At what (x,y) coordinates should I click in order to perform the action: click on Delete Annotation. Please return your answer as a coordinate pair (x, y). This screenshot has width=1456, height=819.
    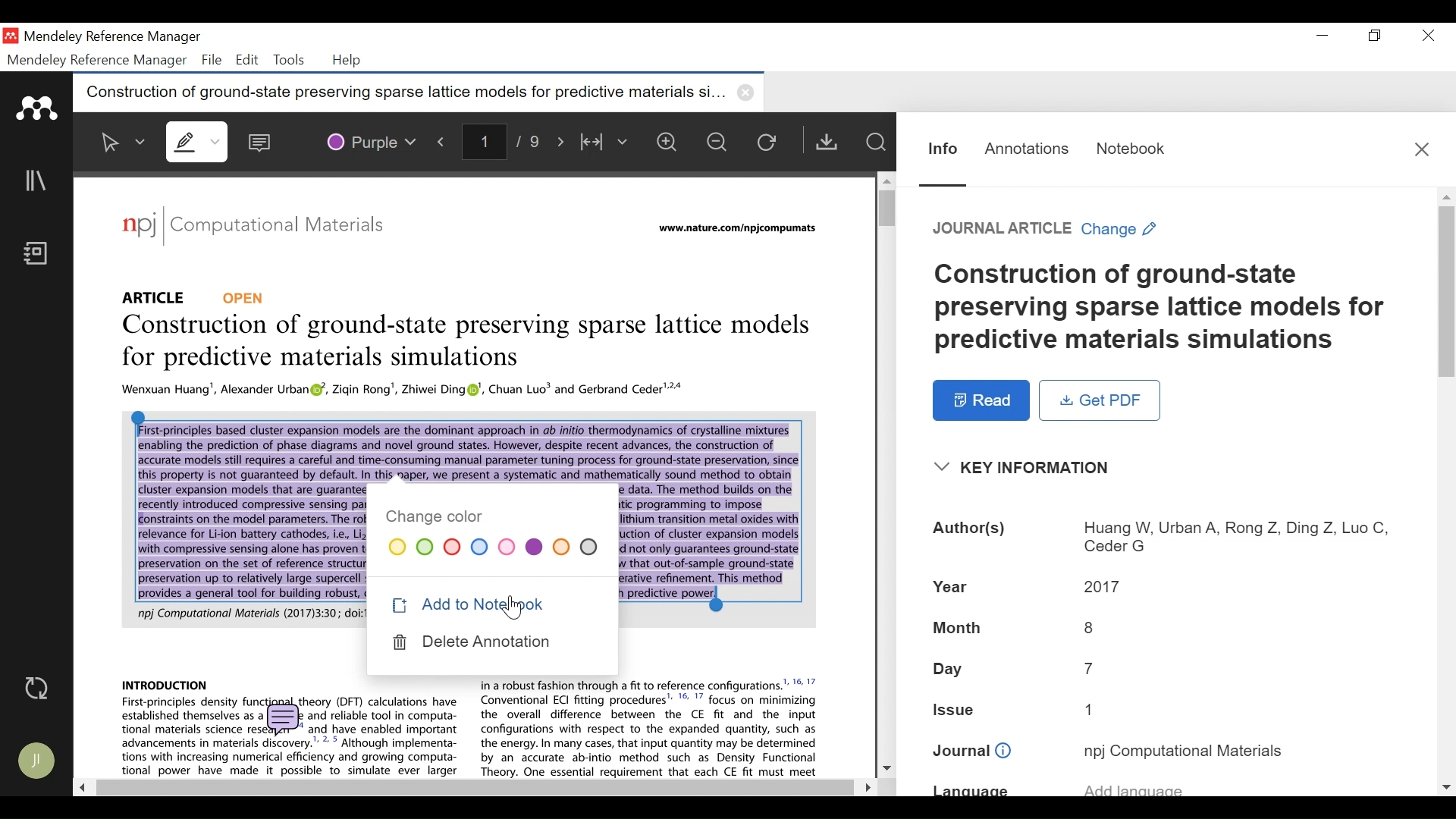
    Looking at the image, I should click on (472, 643).